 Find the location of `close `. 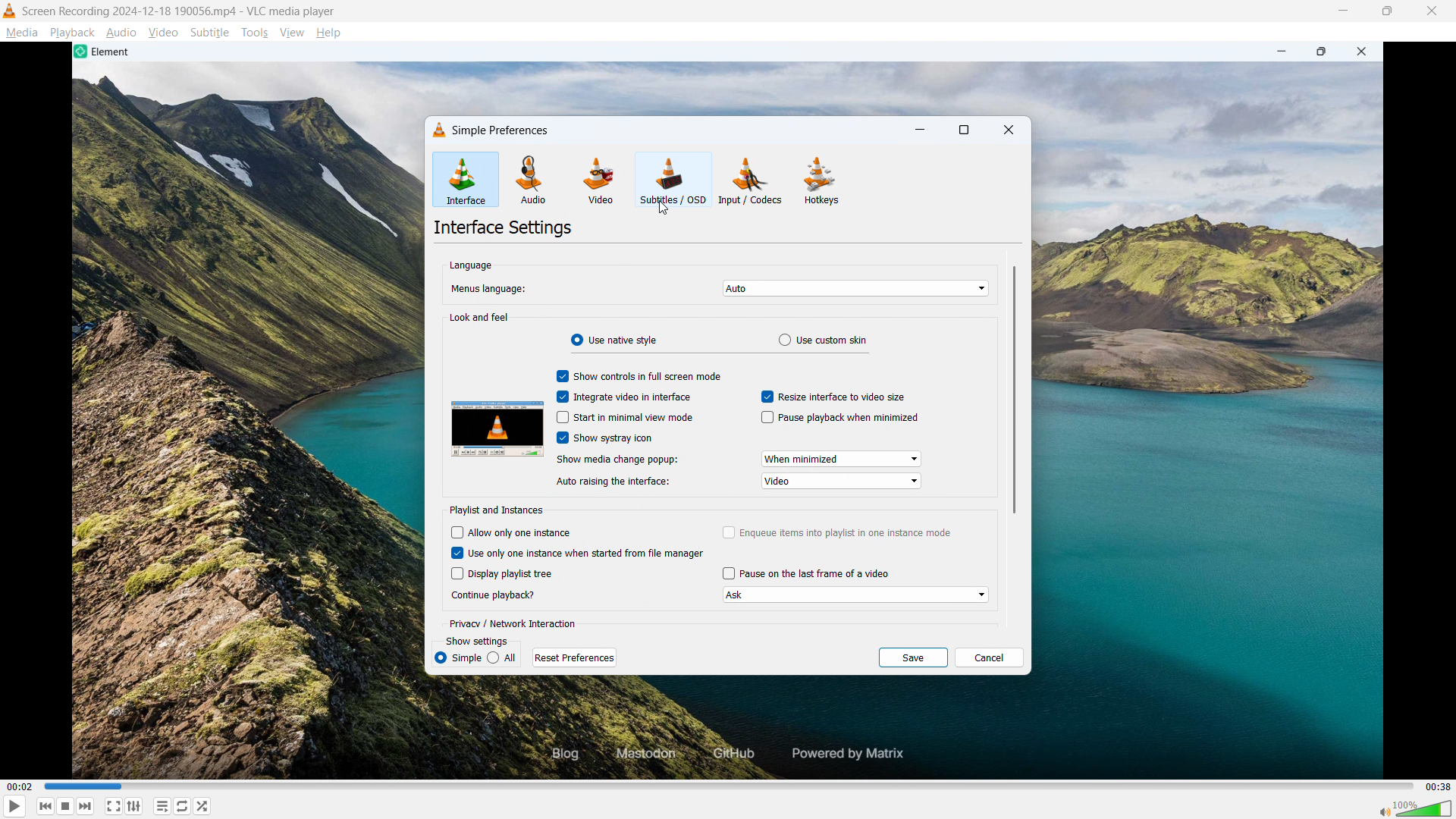

close  is located at coordinates (1009, 129).